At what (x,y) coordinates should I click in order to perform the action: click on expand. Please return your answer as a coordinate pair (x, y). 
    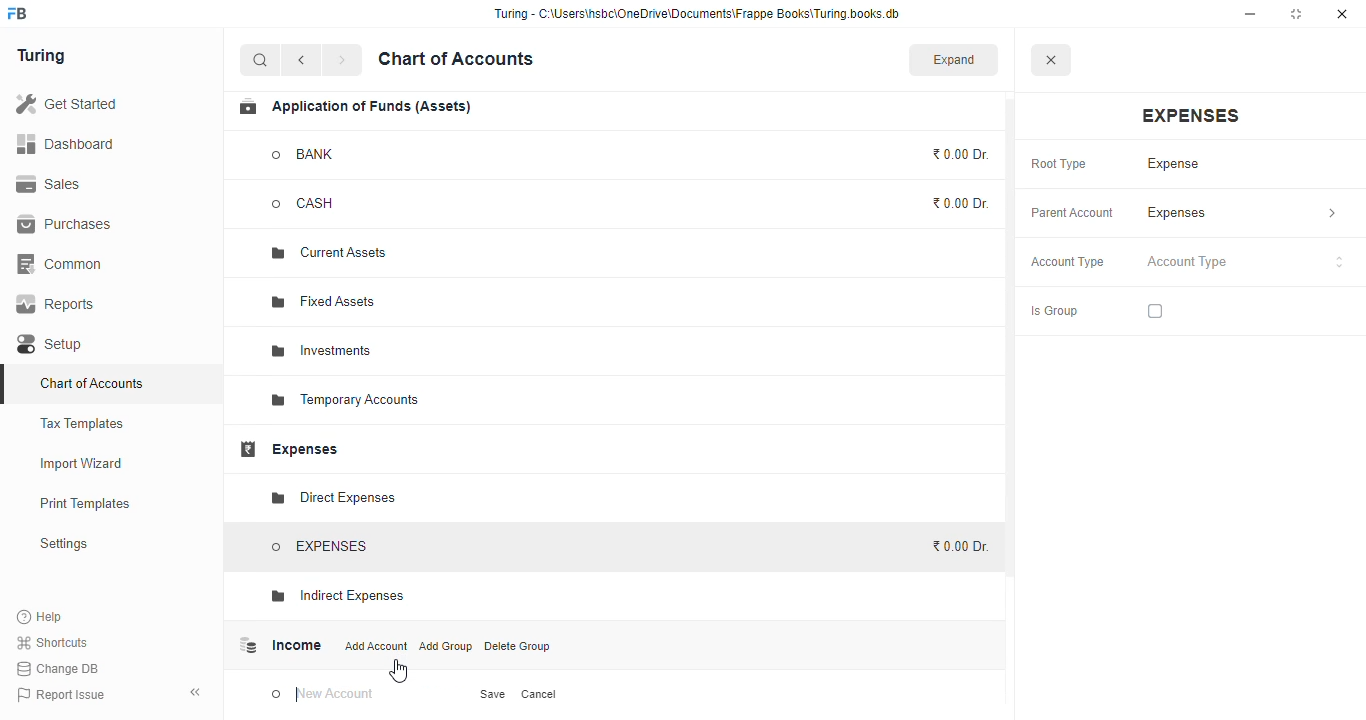
    Looking at the image, I should click on (954, 59).